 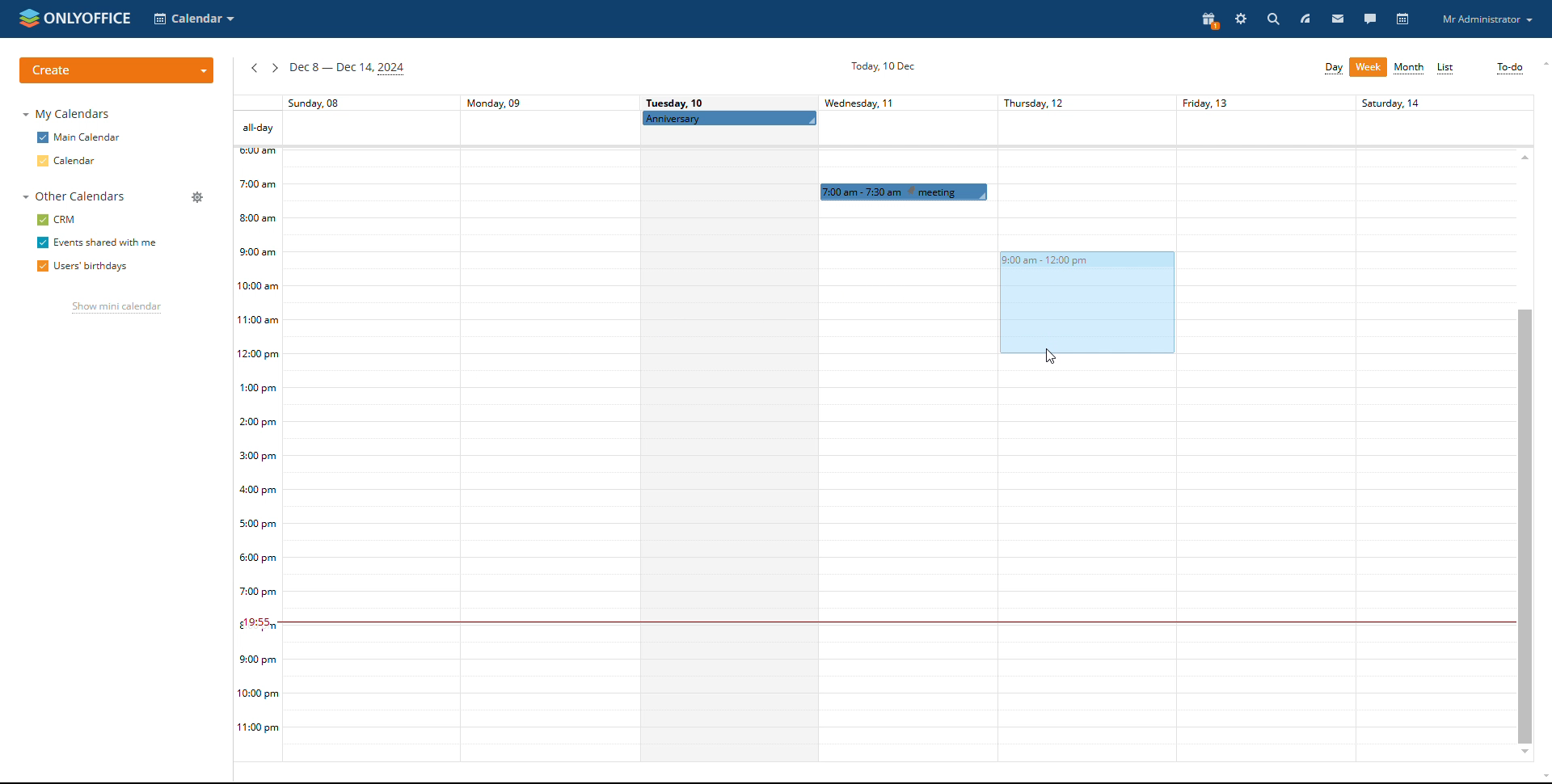 I want to click on search, so click(x=1272, y=19).